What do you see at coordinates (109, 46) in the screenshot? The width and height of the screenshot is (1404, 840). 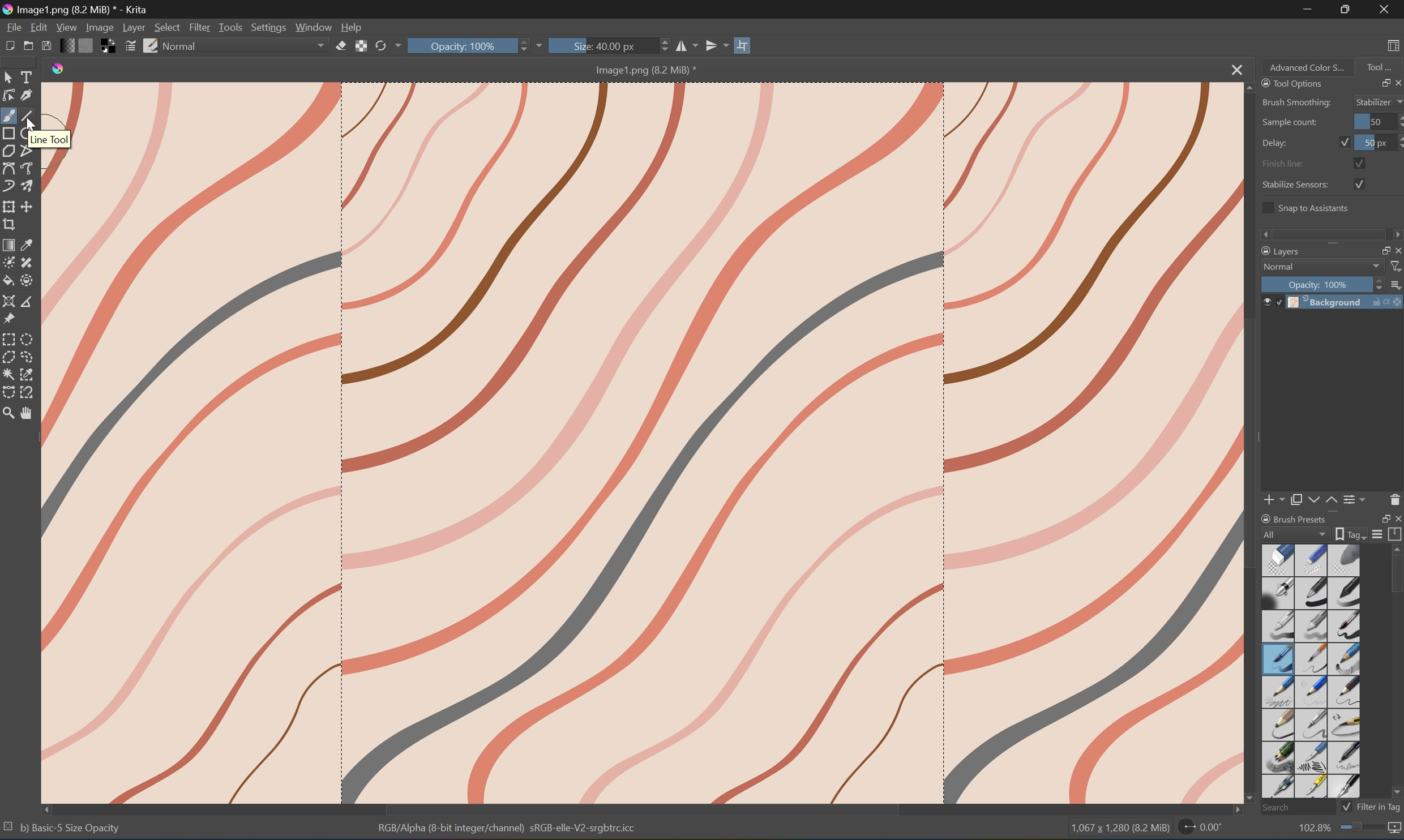 I see `Swap foreground and background colors to black and white` at bounding box center [109, 46].